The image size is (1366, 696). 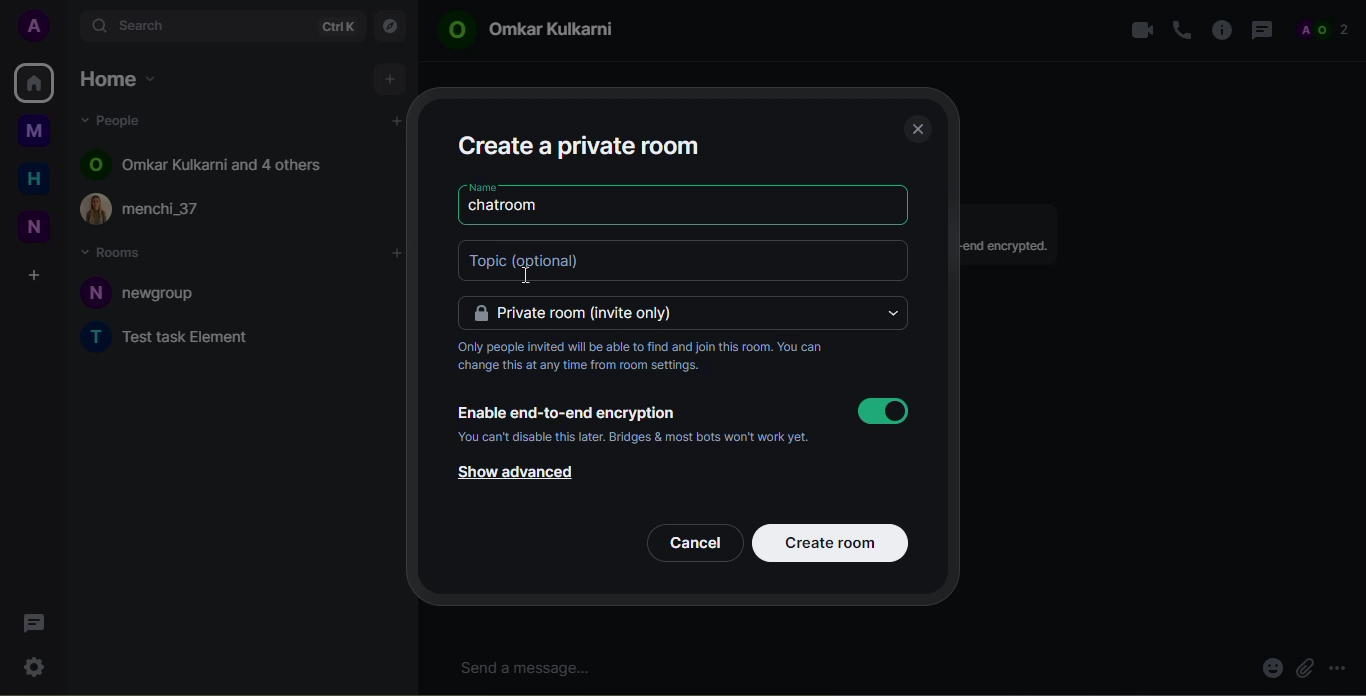 I want to click on add, so click(x=398, y=254).